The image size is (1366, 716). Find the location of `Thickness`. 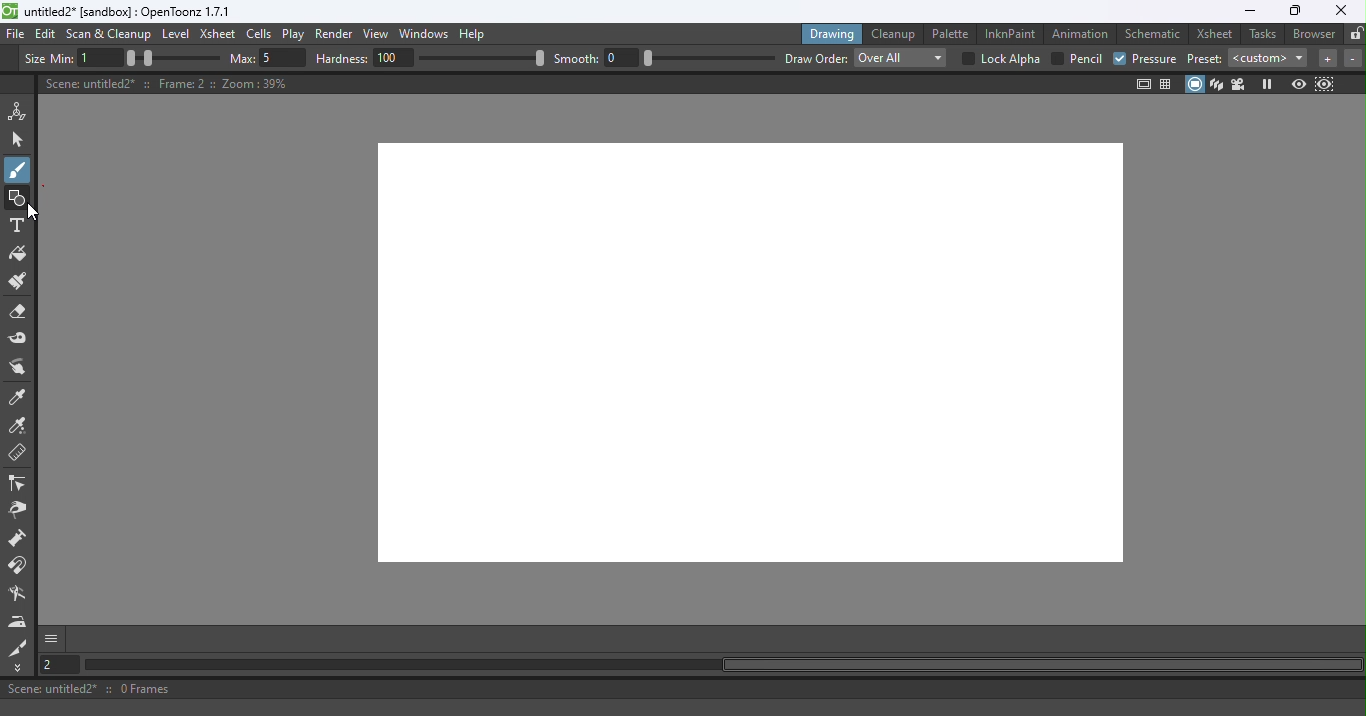

Thickness is located at coordinates (51, 59).